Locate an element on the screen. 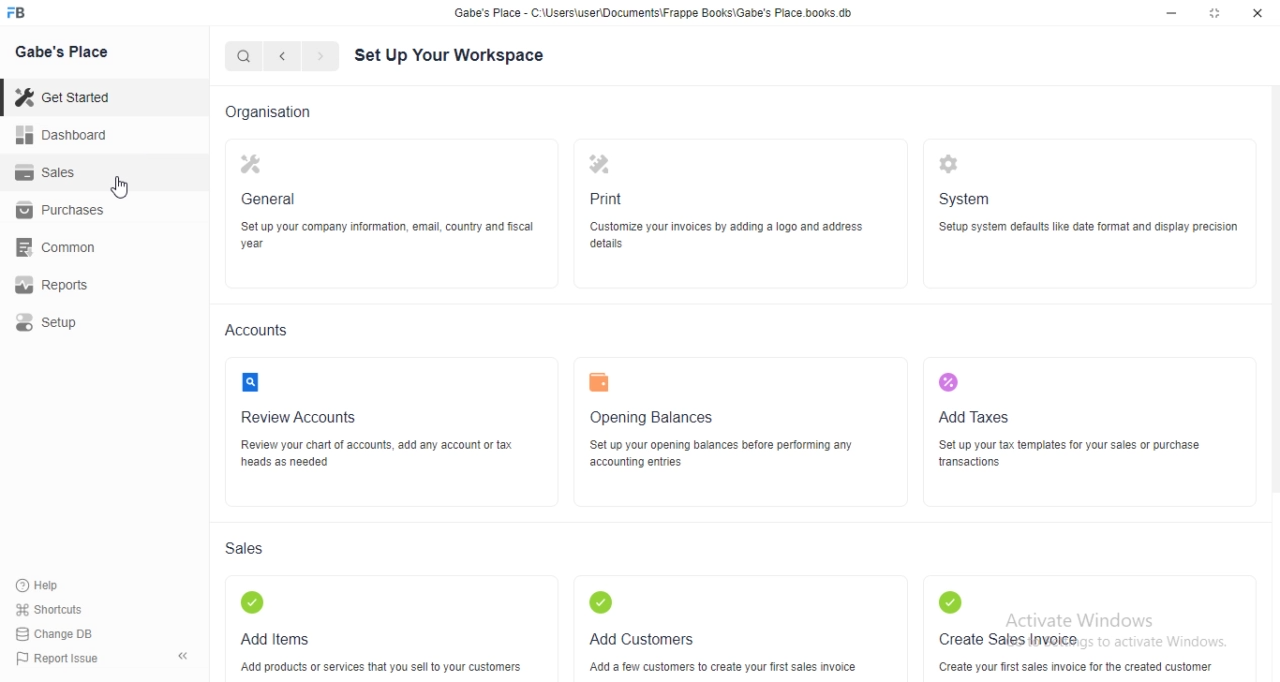 The height and width of the screenshot is (682, 1280). ‘Add products or services that you sell to your customers is located at coordinates (385, 669).